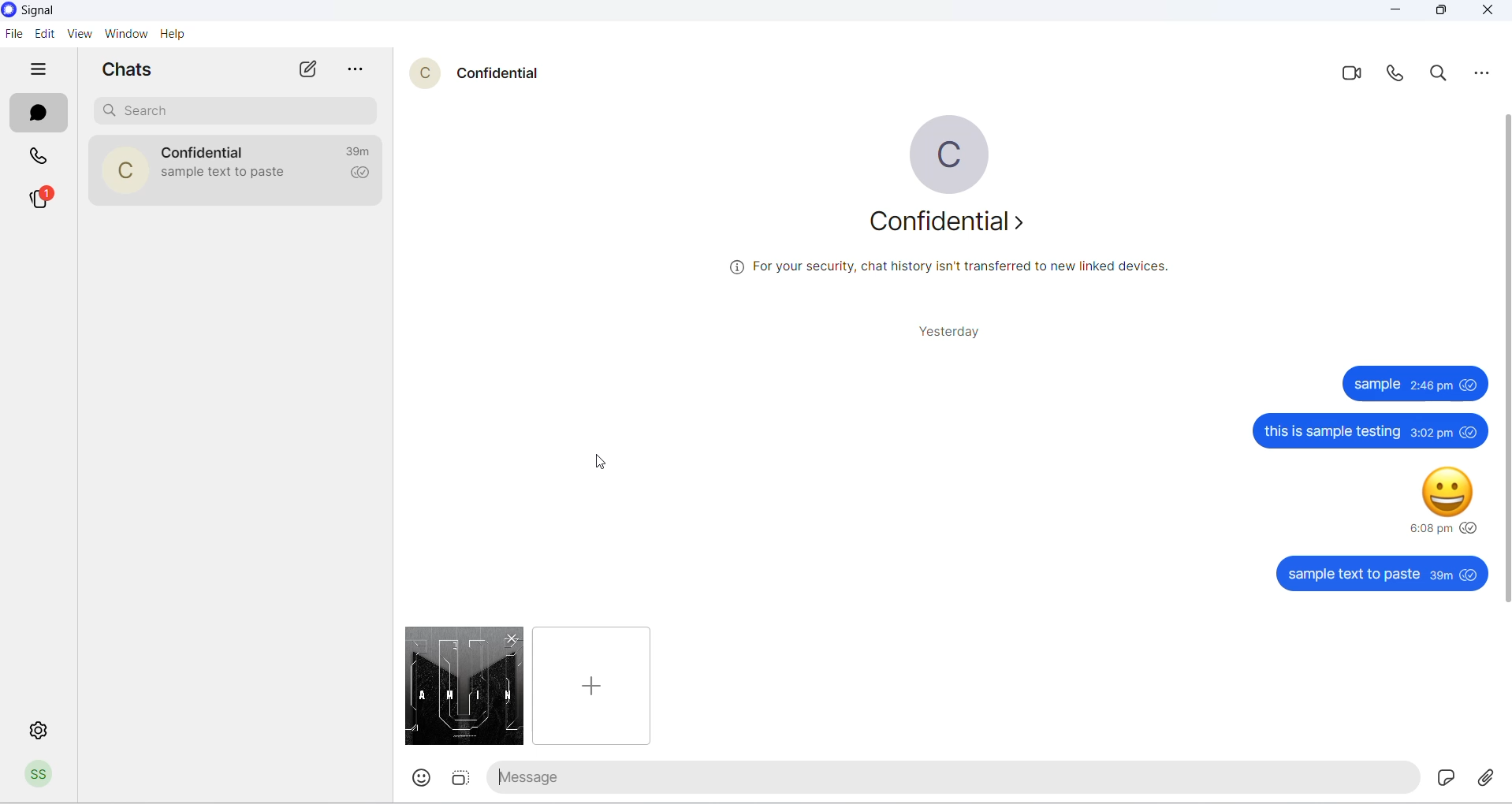  What do you see at coordinates (225, 176) in the screenshot?
I see `last message` at bounding box center [225, 176].